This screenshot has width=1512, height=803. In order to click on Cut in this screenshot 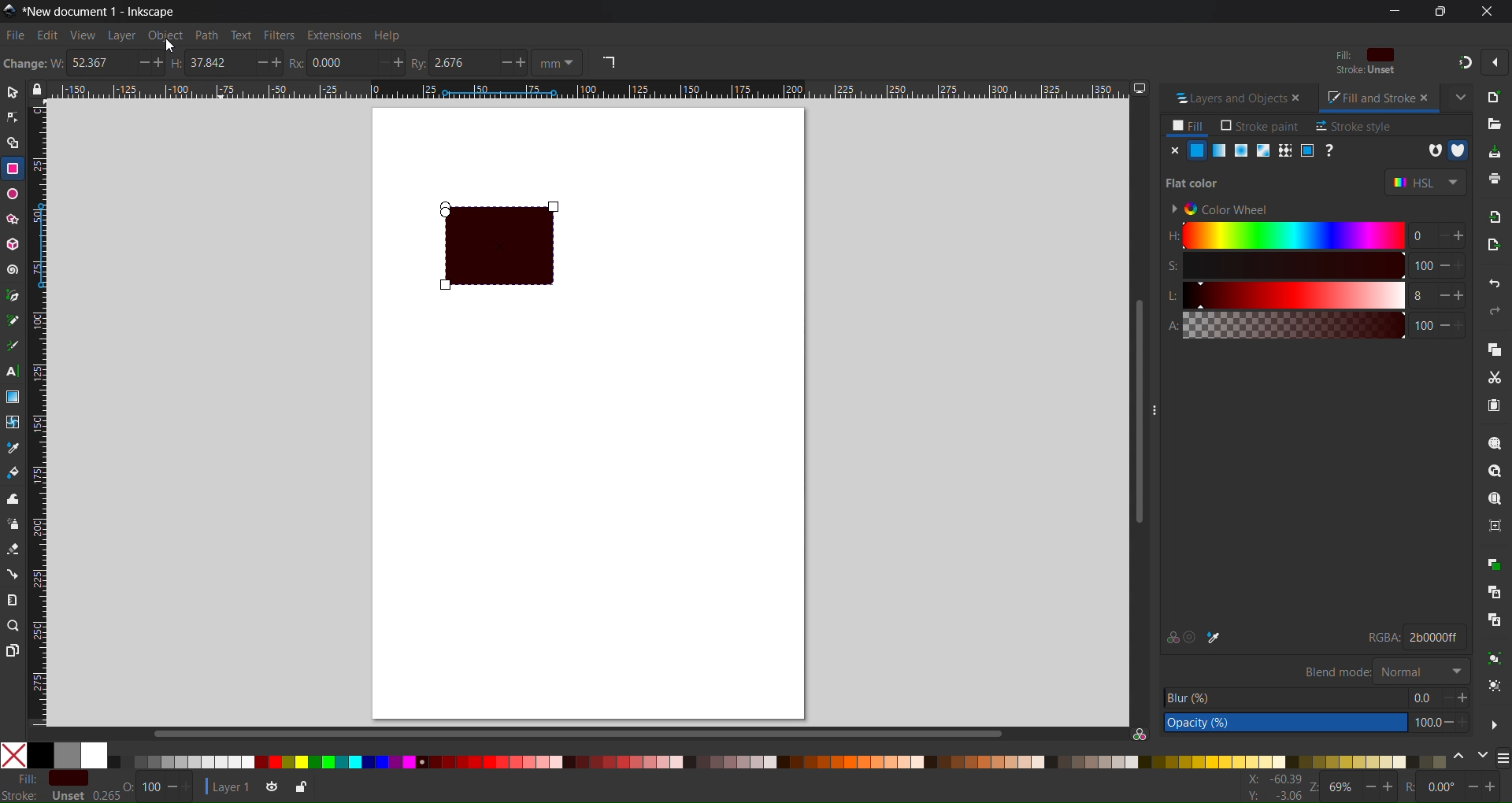, I will do `click(1493, 377)`.